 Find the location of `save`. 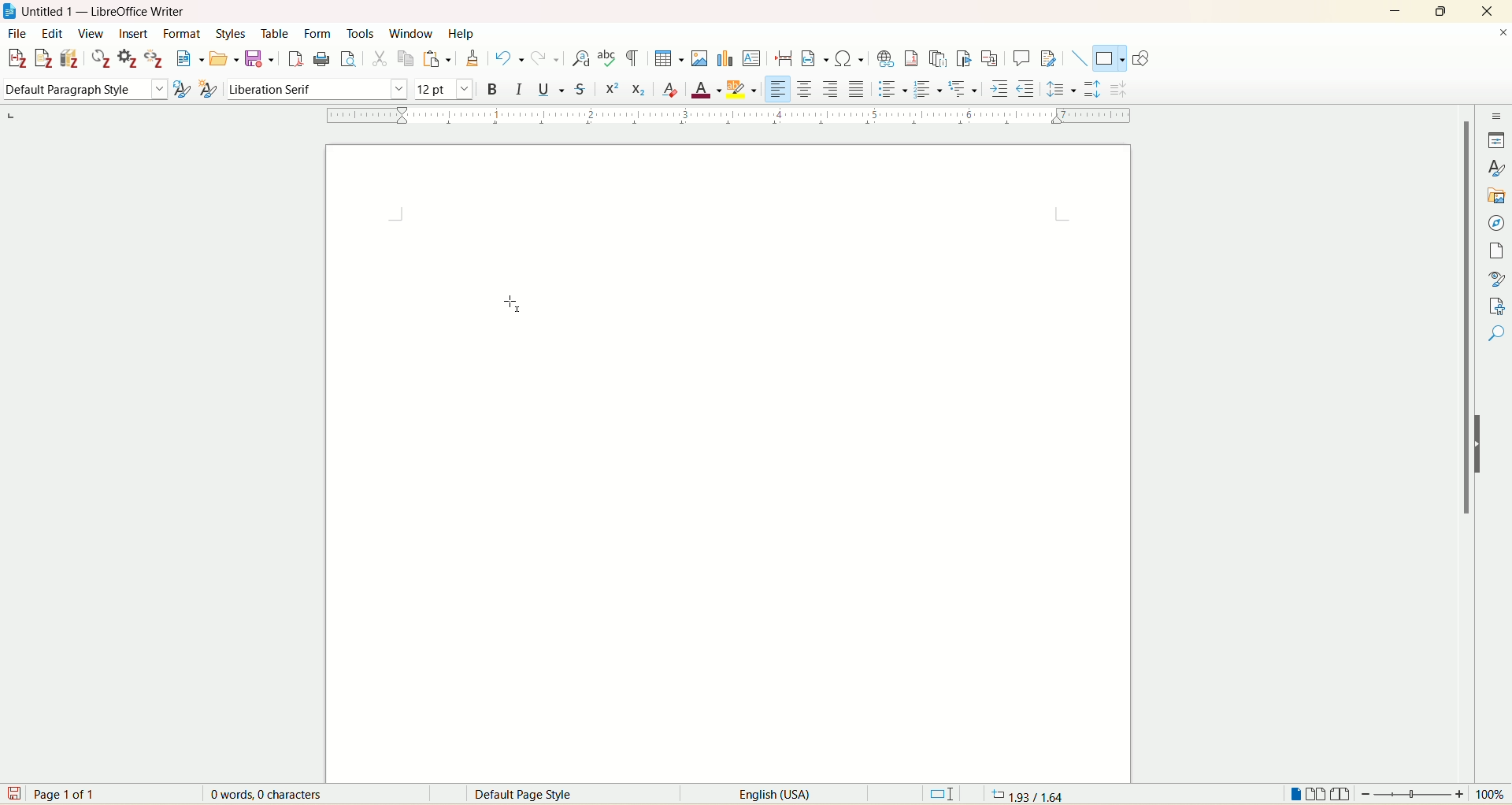

save is located at coordinates (13, 793).